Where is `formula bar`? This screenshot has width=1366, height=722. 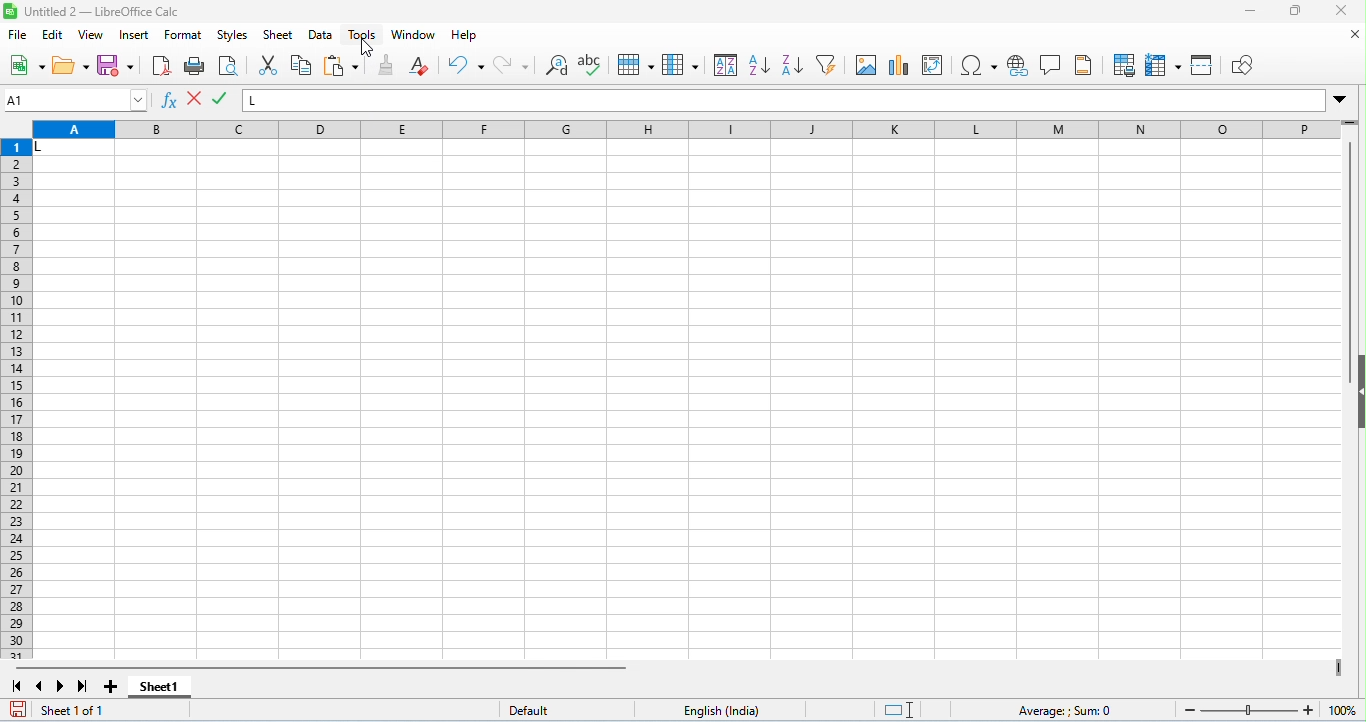
formula bar is located at coordinates (785, 100).